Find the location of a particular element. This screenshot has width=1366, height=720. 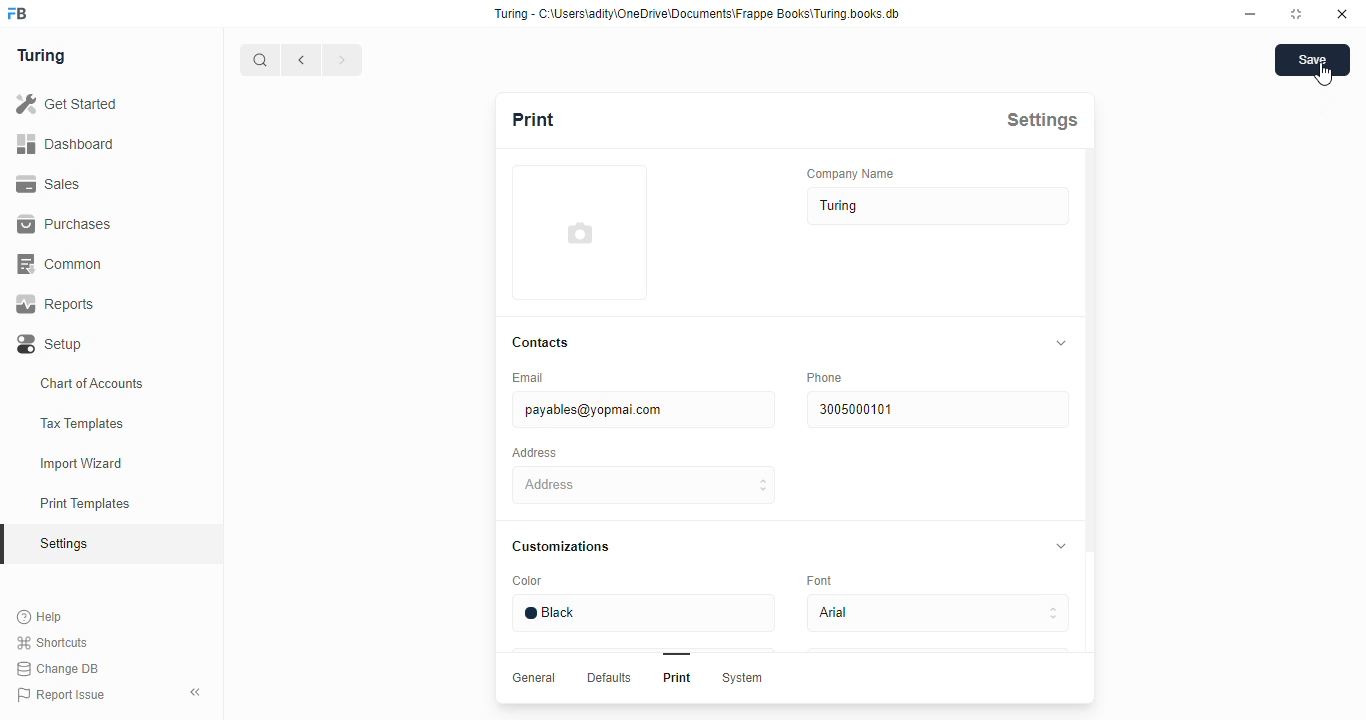

frappe books logo is located at coordinates (25, 15).